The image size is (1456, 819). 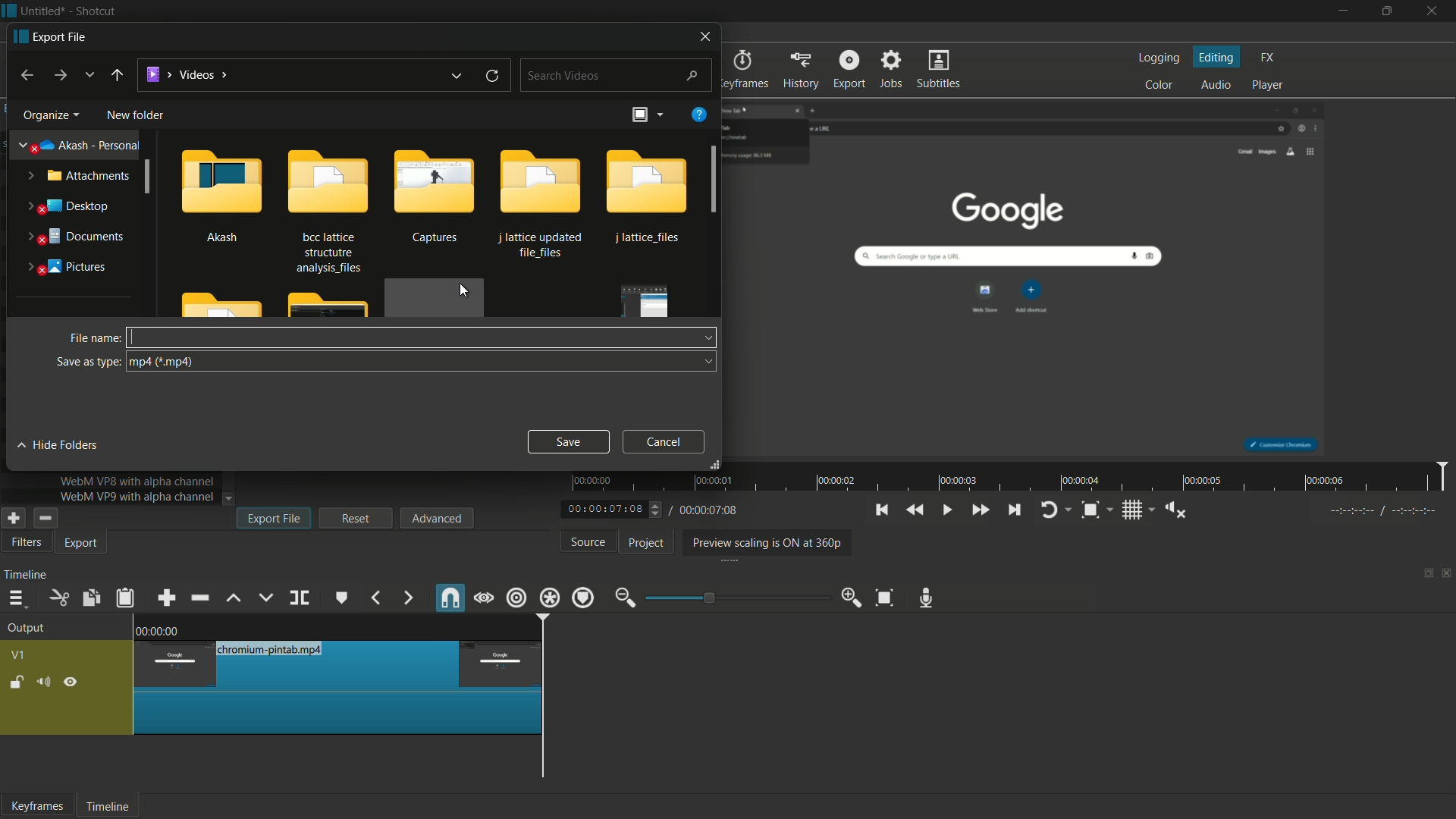 I want to click on ut video, so click(x=24, y=543).